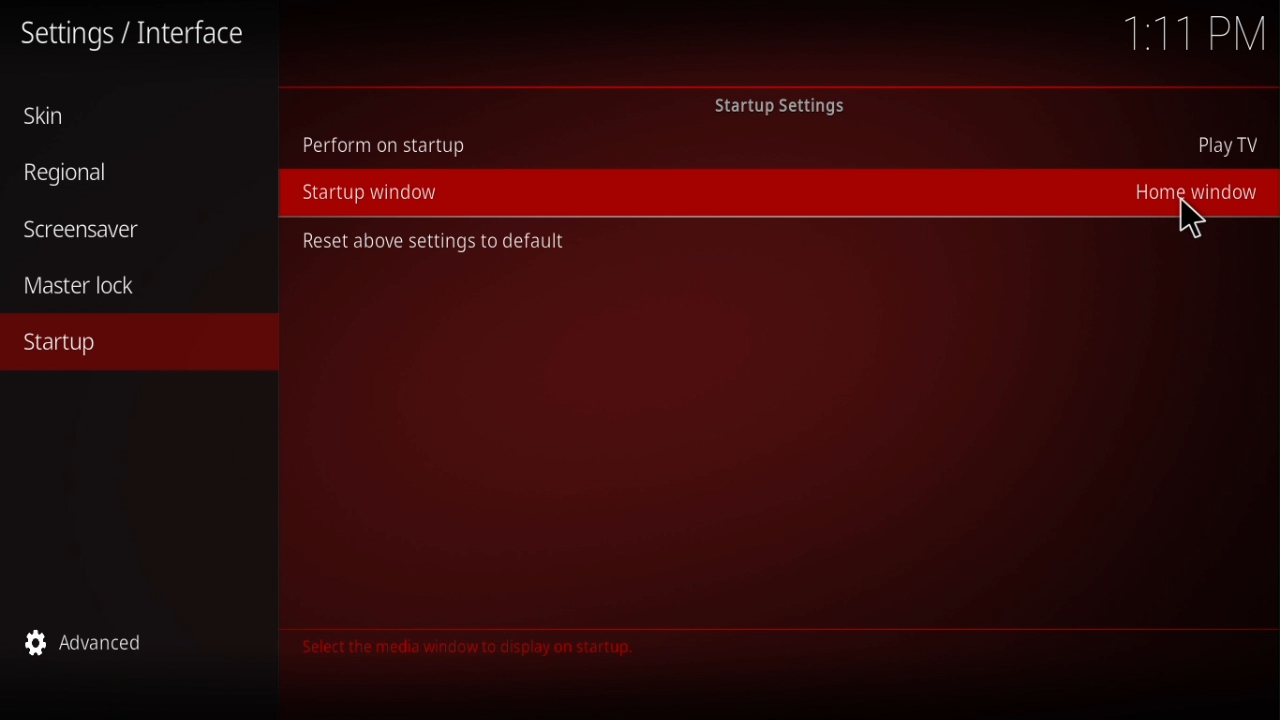 This screenshot has width=1280, height=720. I want to click on settings, so click(138, 36).